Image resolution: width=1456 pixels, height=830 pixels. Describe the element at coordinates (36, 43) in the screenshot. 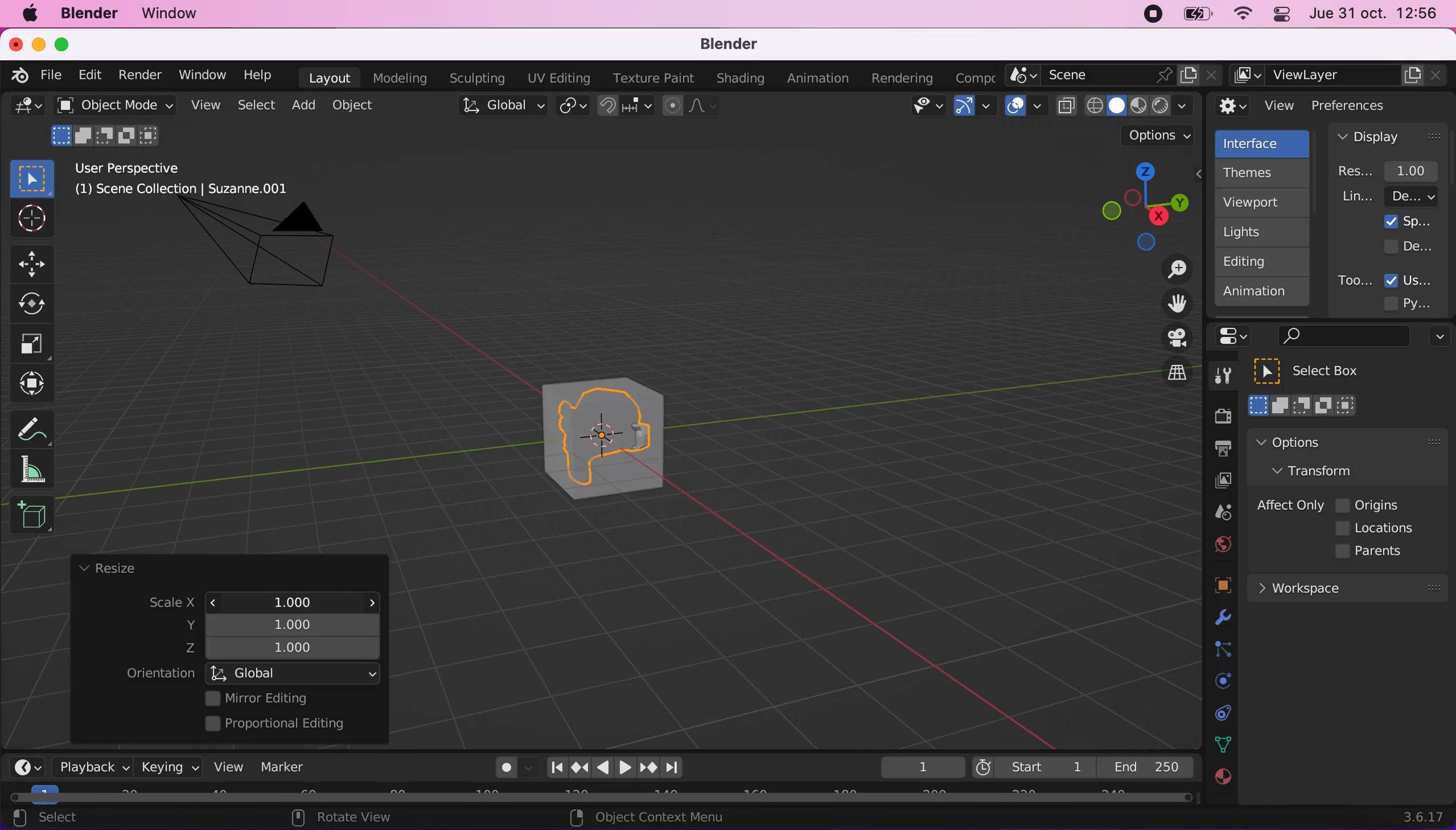

I see `minimize` at that location.